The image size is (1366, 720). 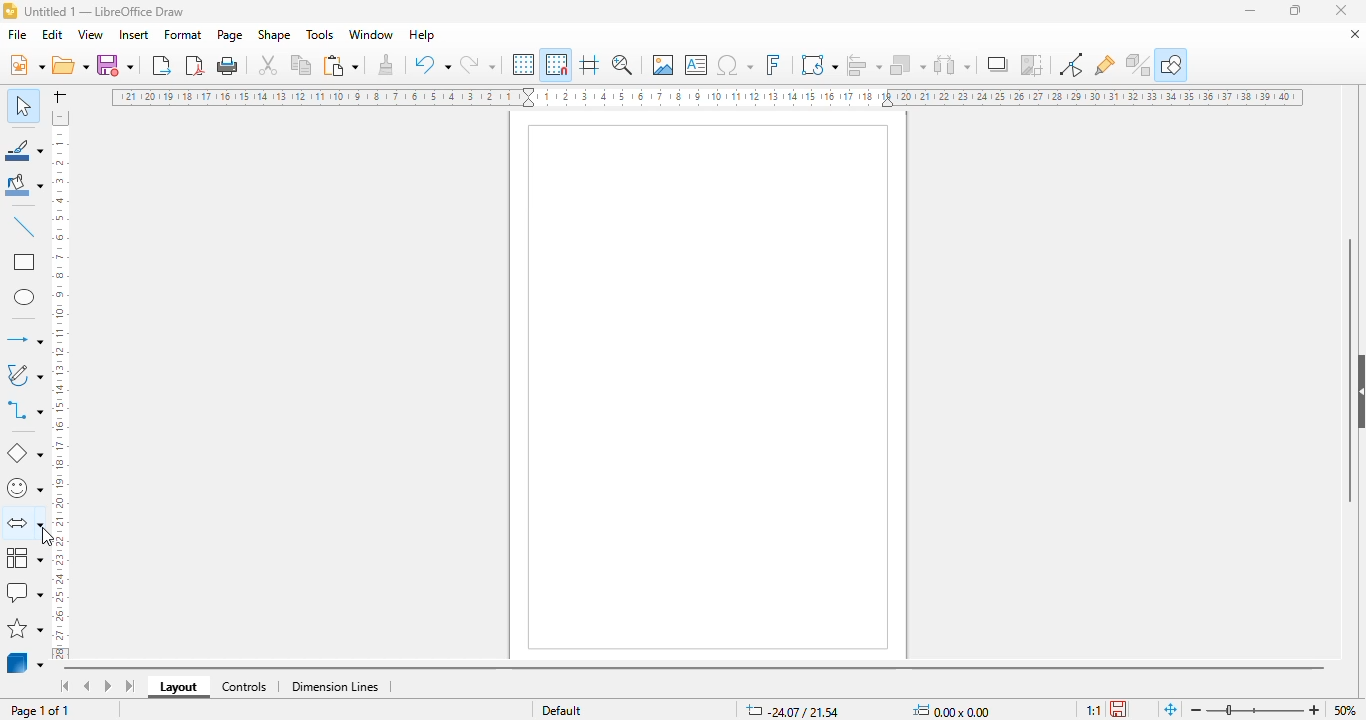 What do you see at coordinates (319, 34) in the screenshot?
I see `tools` at bounding box center [319, 34].